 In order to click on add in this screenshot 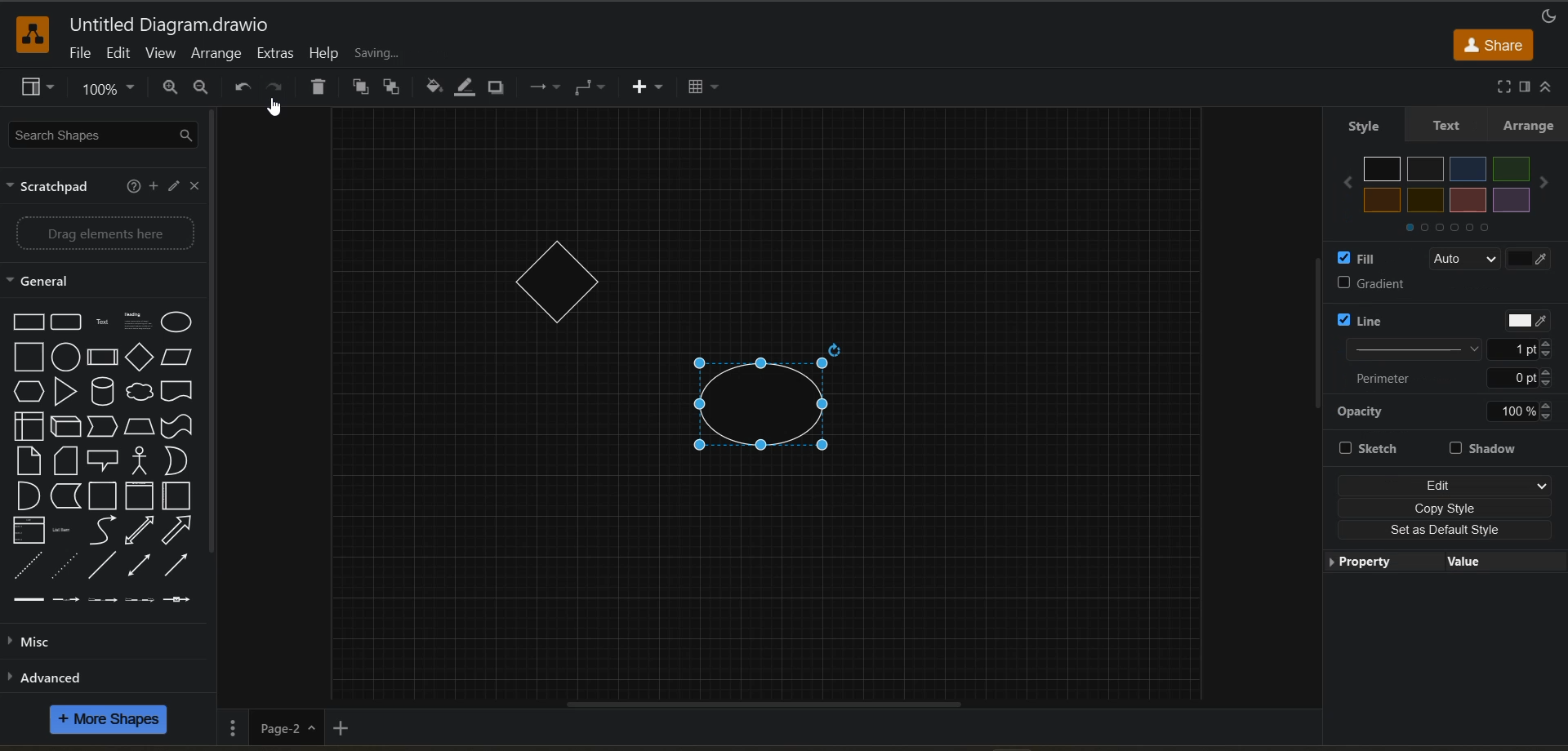, I will do `click(153, 187)`.